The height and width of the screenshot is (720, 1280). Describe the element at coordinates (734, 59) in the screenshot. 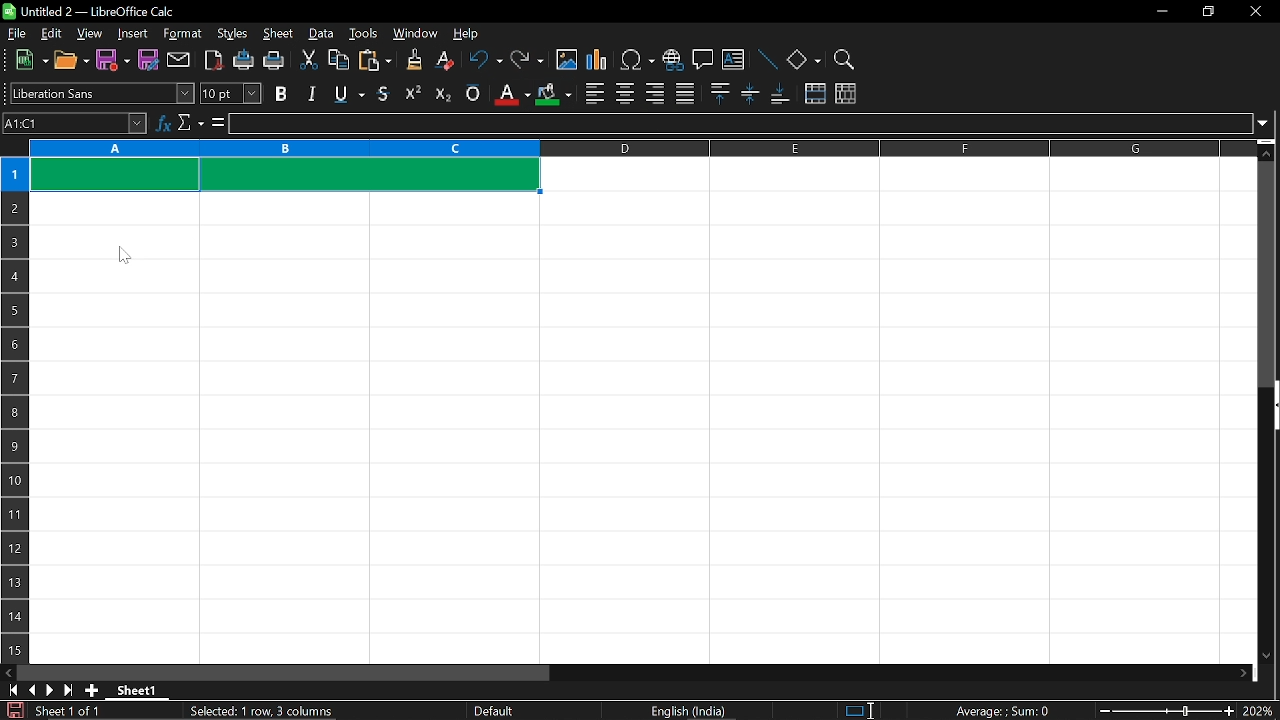

I see `insert text` at that location.